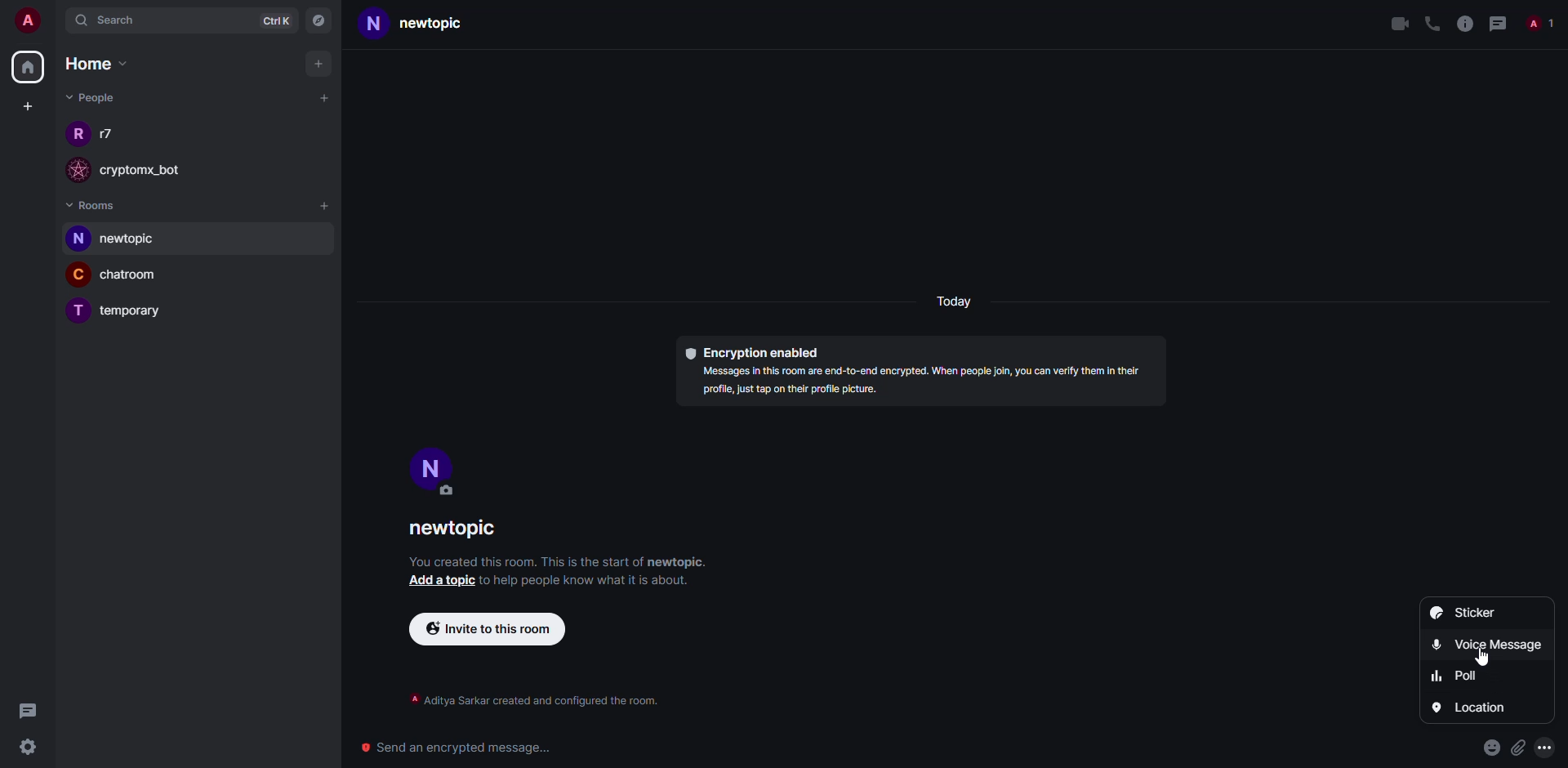 Image resolution: width=1568 pixels, height=768 pixels. Describe the element at coordinates (91, 98) in the screenshot. I see `people` at that location.